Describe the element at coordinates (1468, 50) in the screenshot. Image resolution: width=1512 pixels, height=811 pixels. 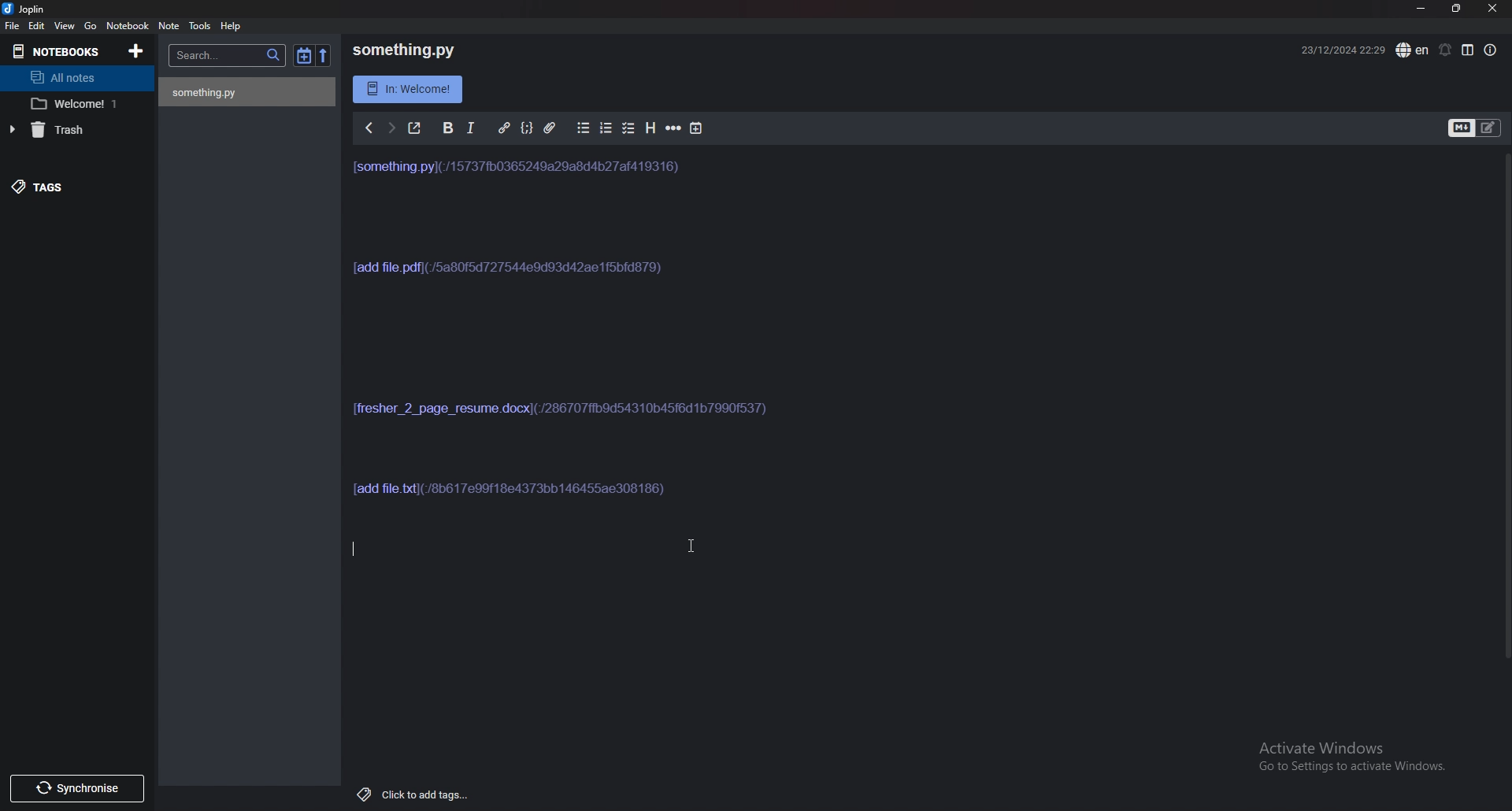
I see `toggle editor layout` at that location.